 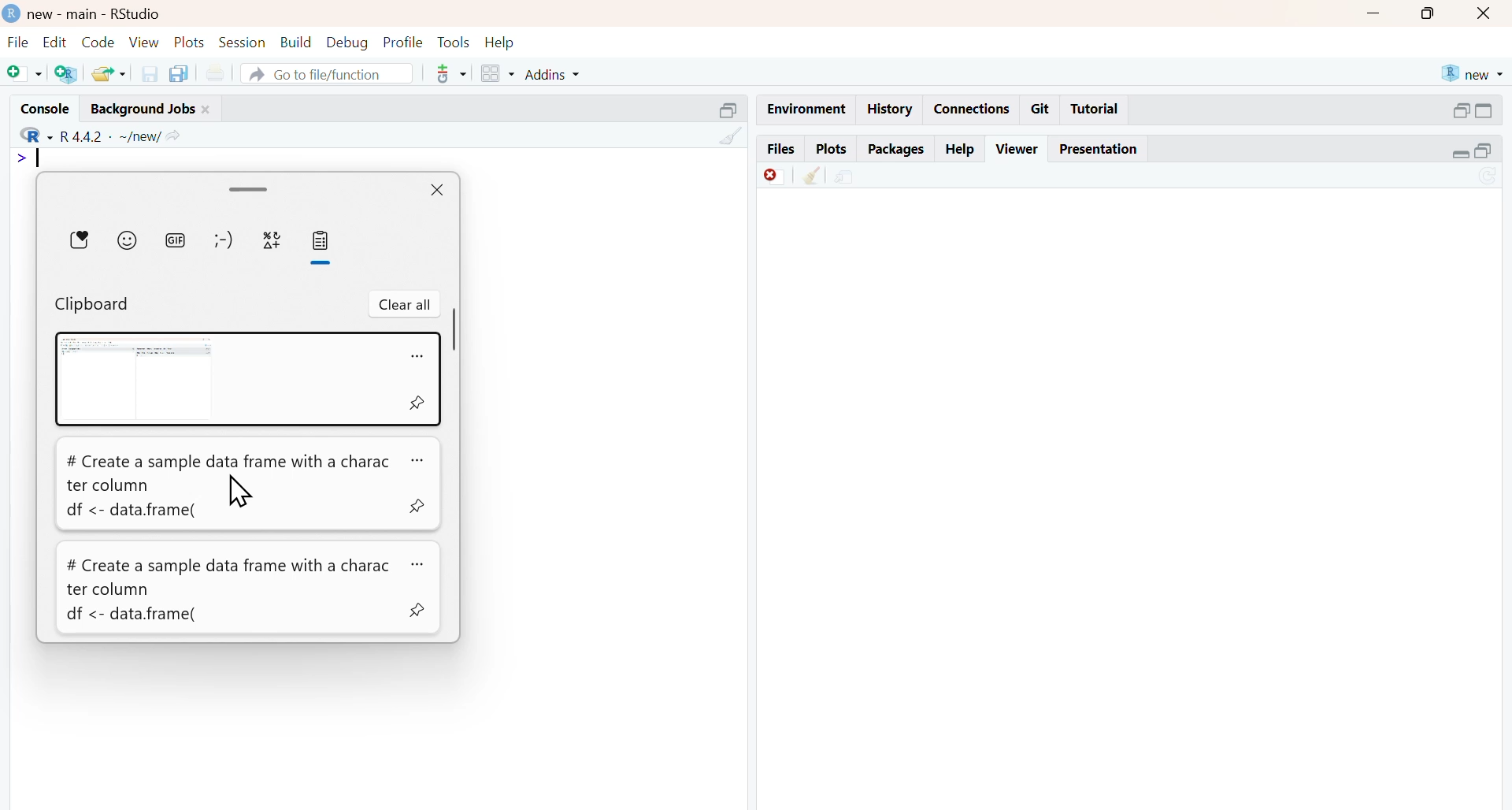 What do you see at coordinates (1427, 13) in the screenshot?
I see `maximise` at bounding box center [1427, 13].